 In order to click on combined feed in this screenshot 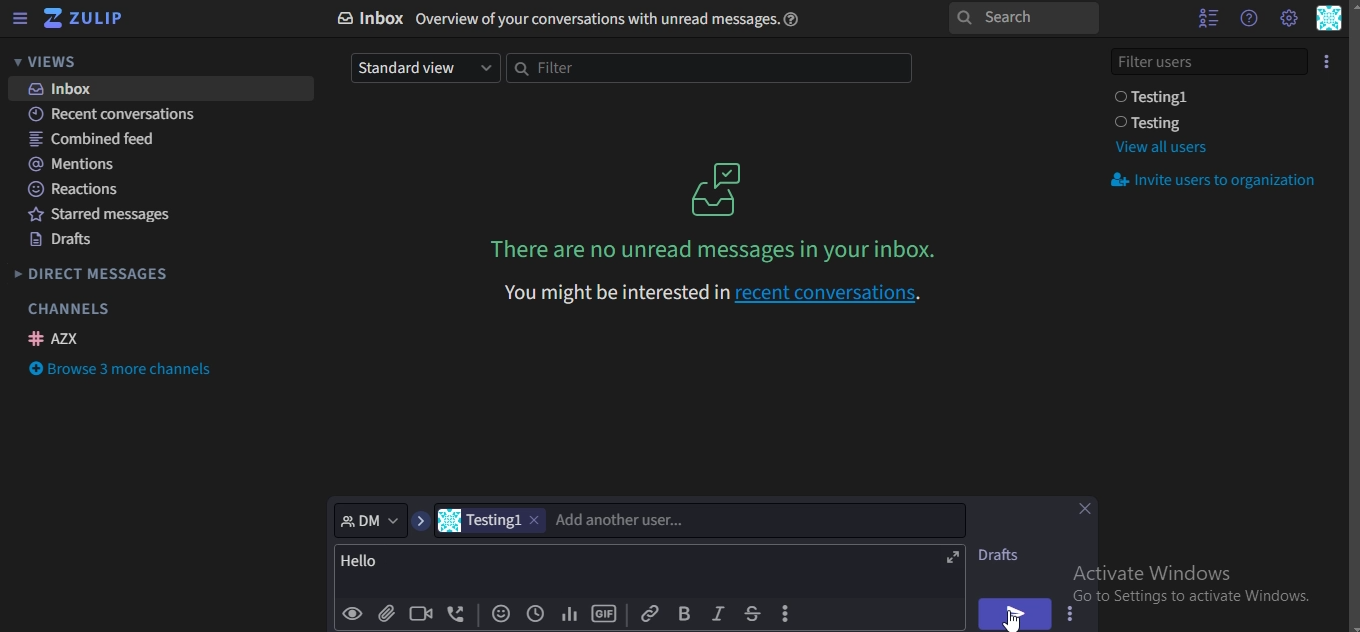, I will do `click(95, 140)`.